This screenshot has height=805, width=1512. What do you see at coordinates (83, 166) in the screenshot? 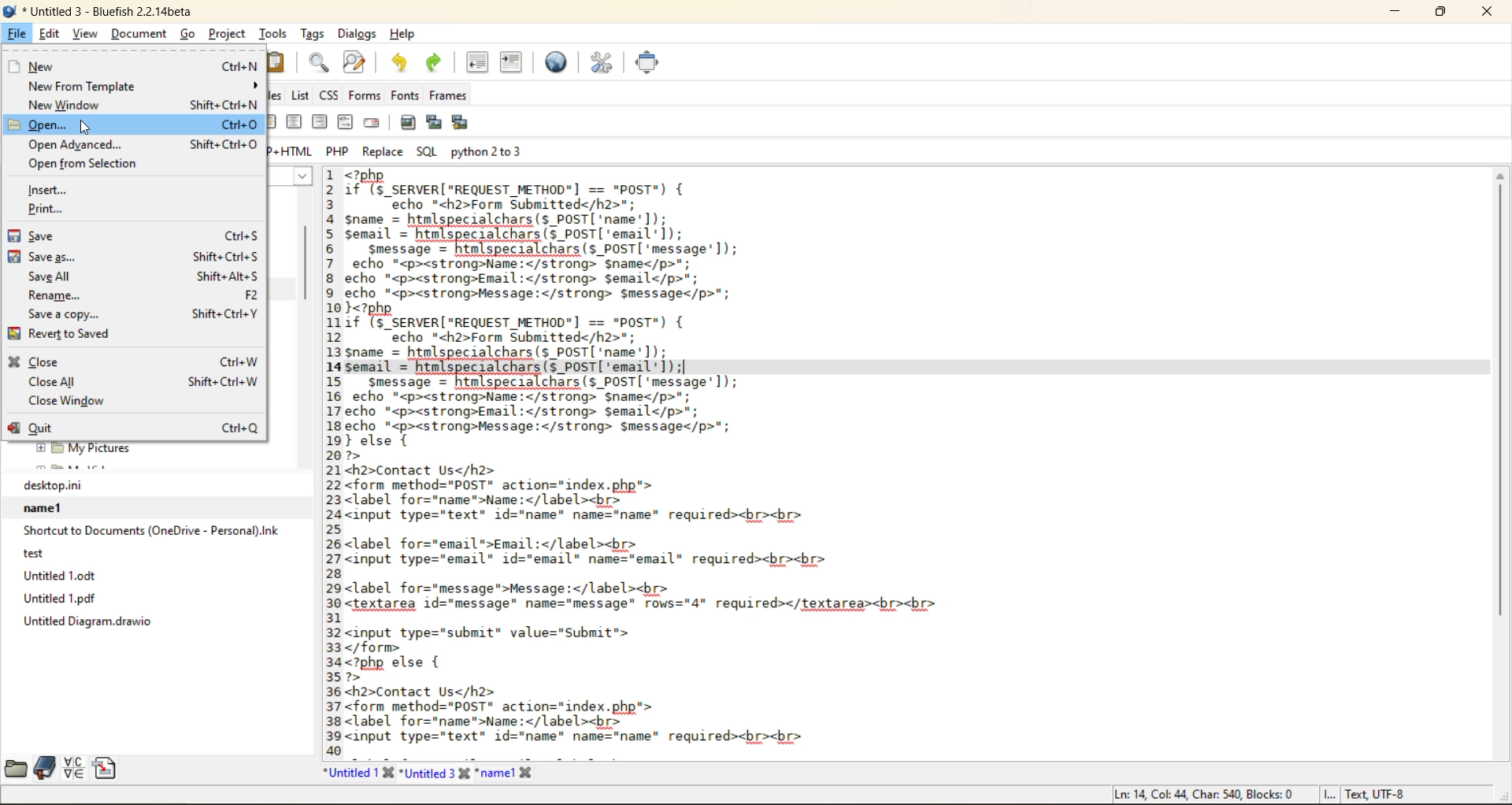
I see `open from selection` at bounding box center [83, 166].